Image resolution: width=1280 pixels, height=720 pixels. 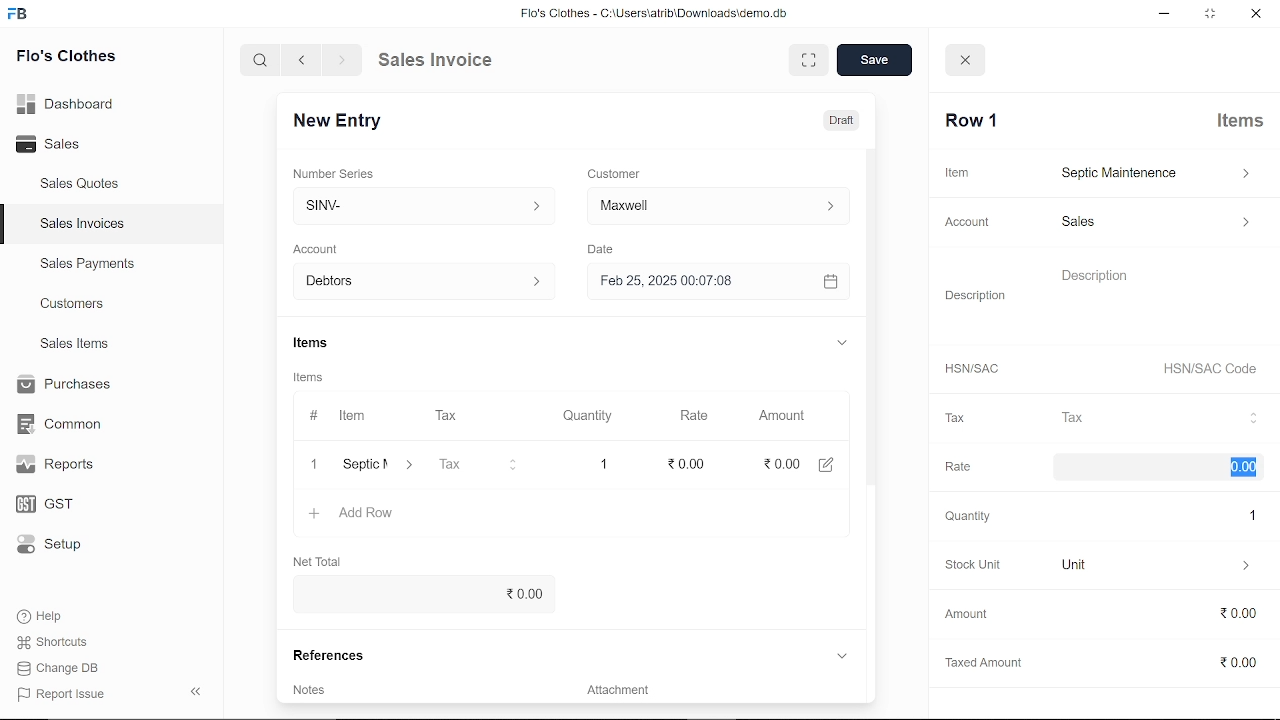 What do you see at coordinates (82, 224) in the screenshot?
I see `Sales Invoices` at bounding box center [82, 224].